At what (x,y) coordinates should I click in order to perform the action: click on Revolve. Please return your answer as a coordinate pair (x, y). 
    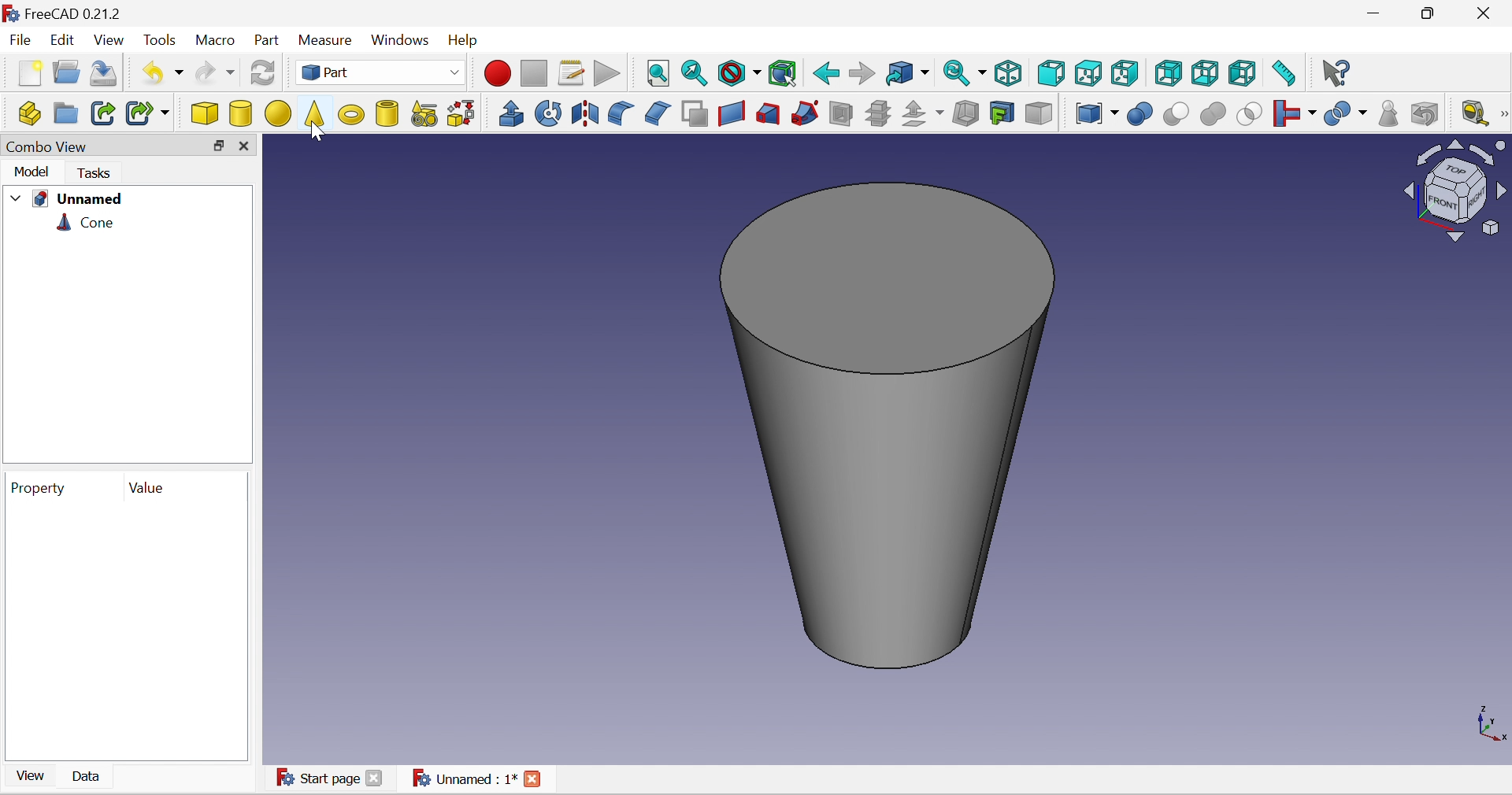
    Looking at the image, I should click on (549, 113).